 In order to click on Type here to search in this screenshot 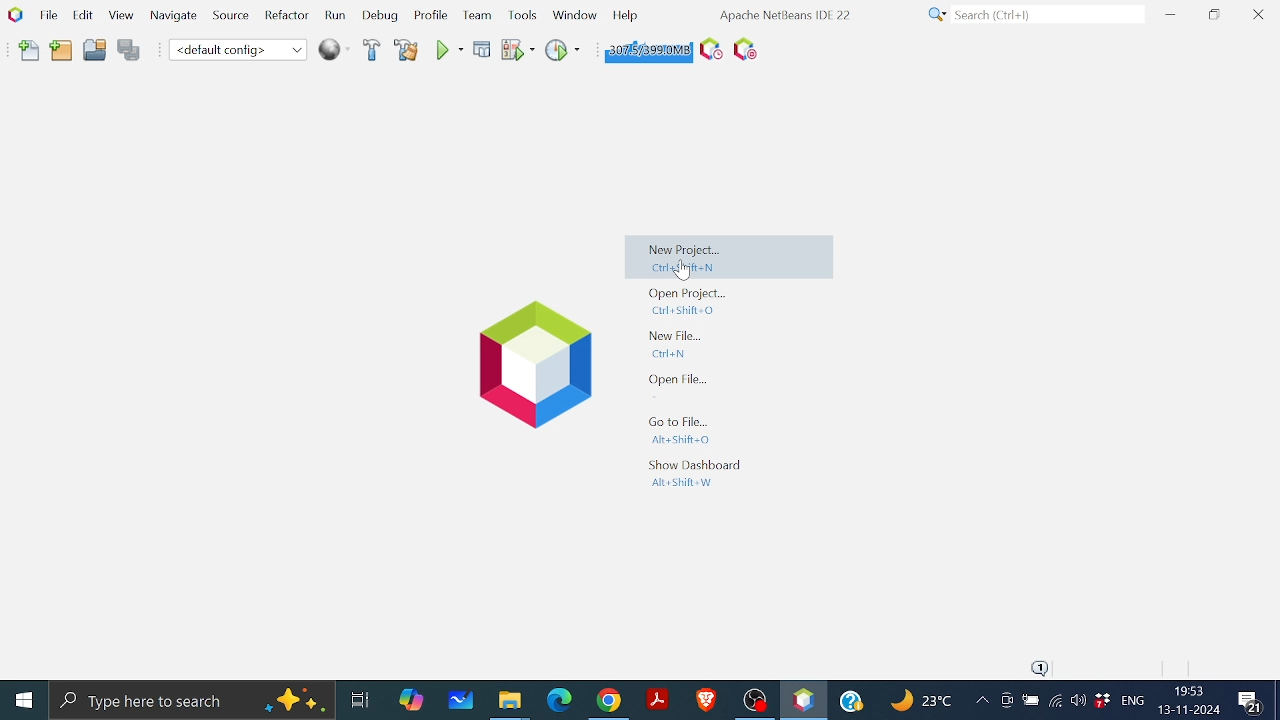, I will do `click(192, 699)`.